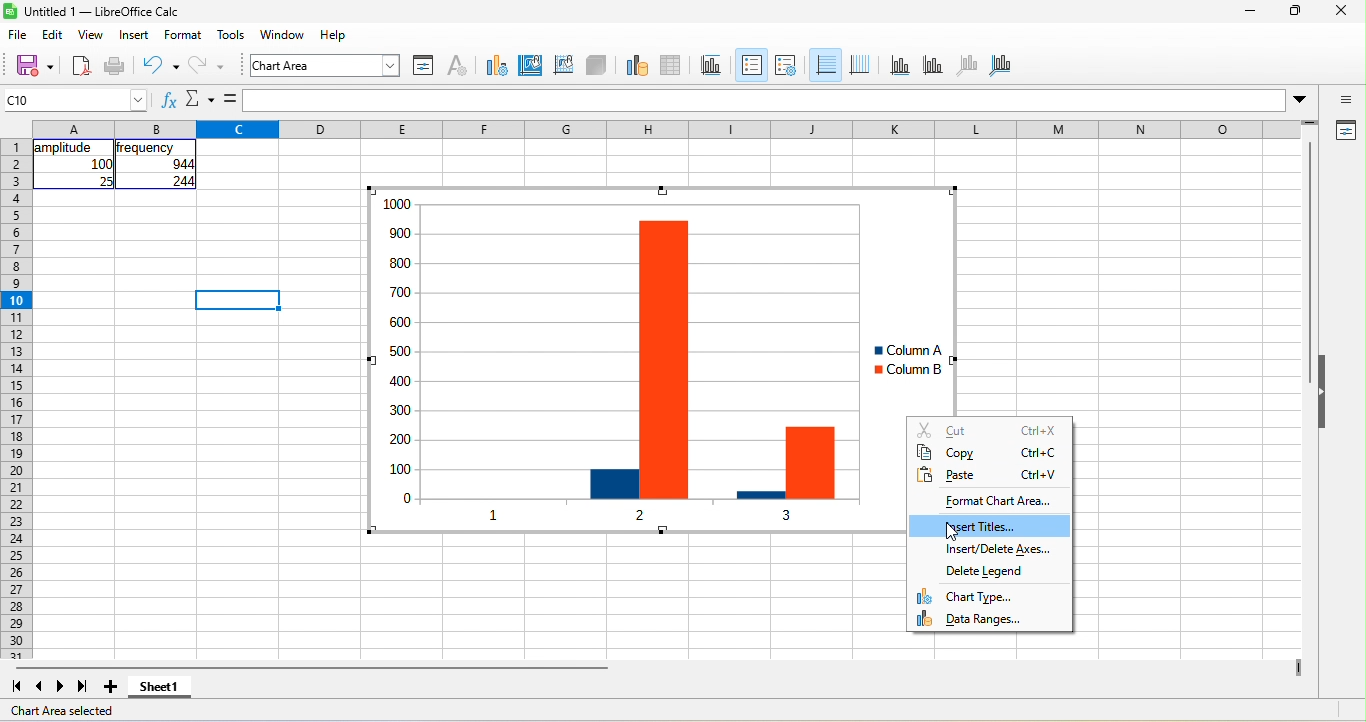 The height and width of the screenshot is (722, 1366). What do you see at coordinates (635, 360) in the screenshot?
I see `Column chart` at bounding box center [635, 360].